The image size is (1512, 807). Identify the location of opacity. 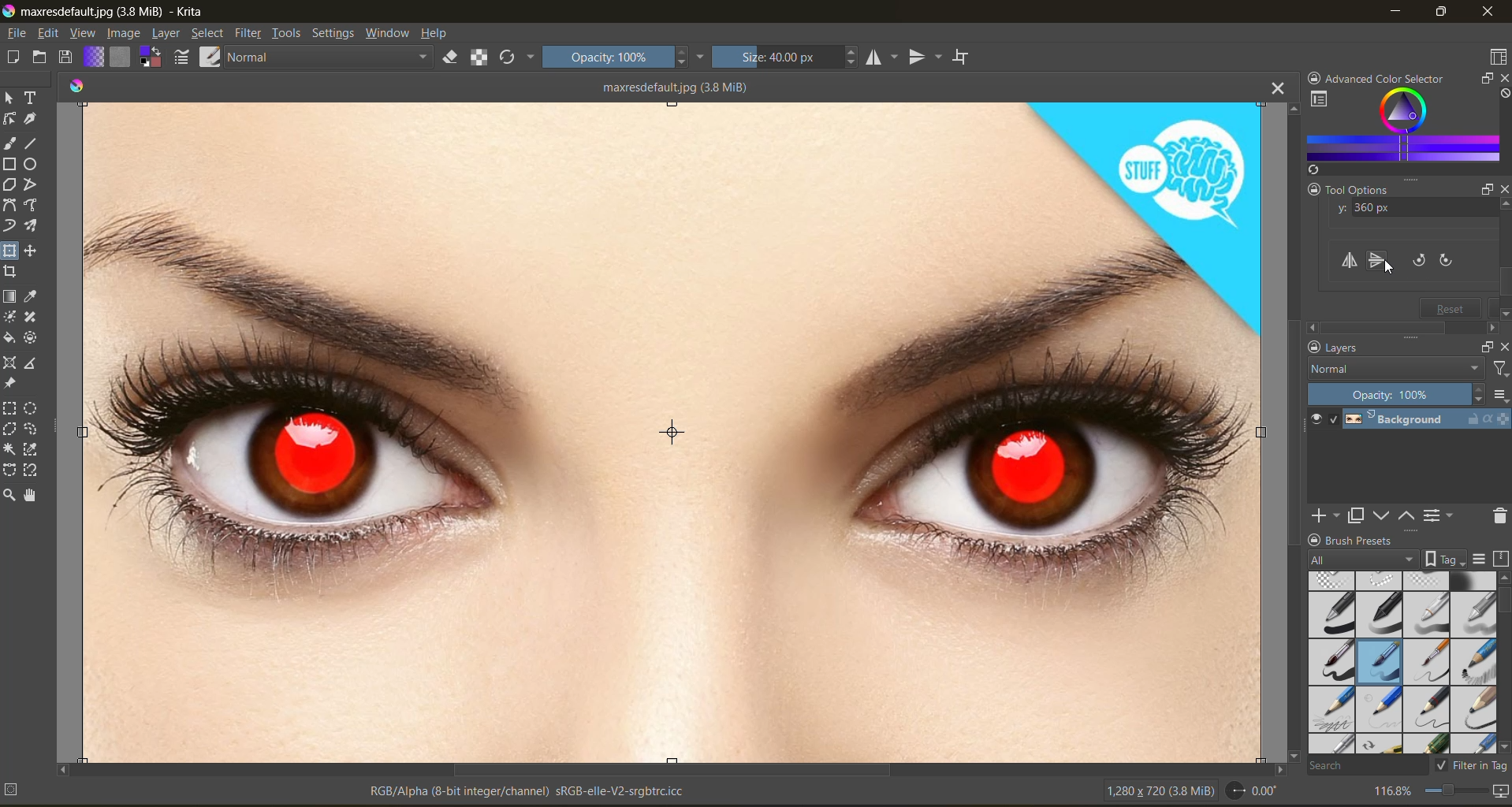
(1397, 393).